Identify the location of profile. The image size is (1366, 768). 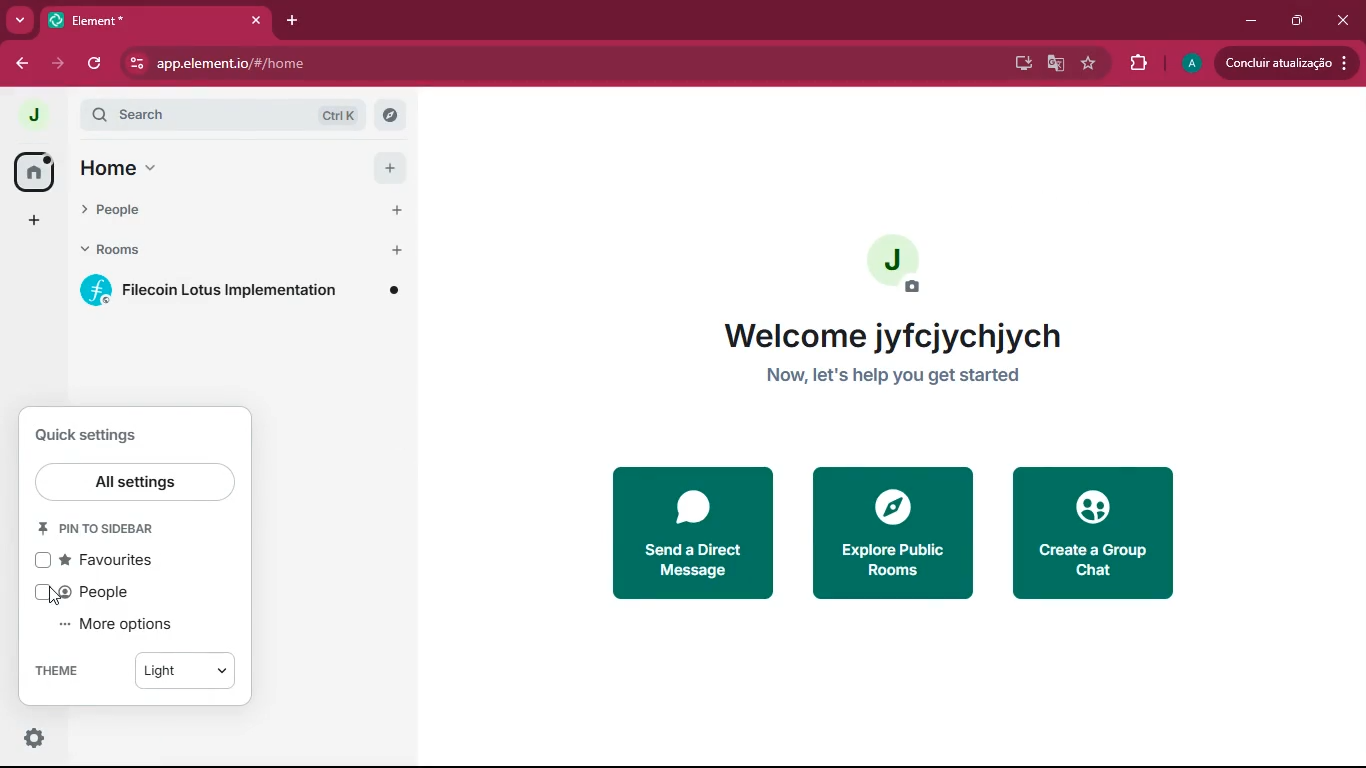
(1191, 65).